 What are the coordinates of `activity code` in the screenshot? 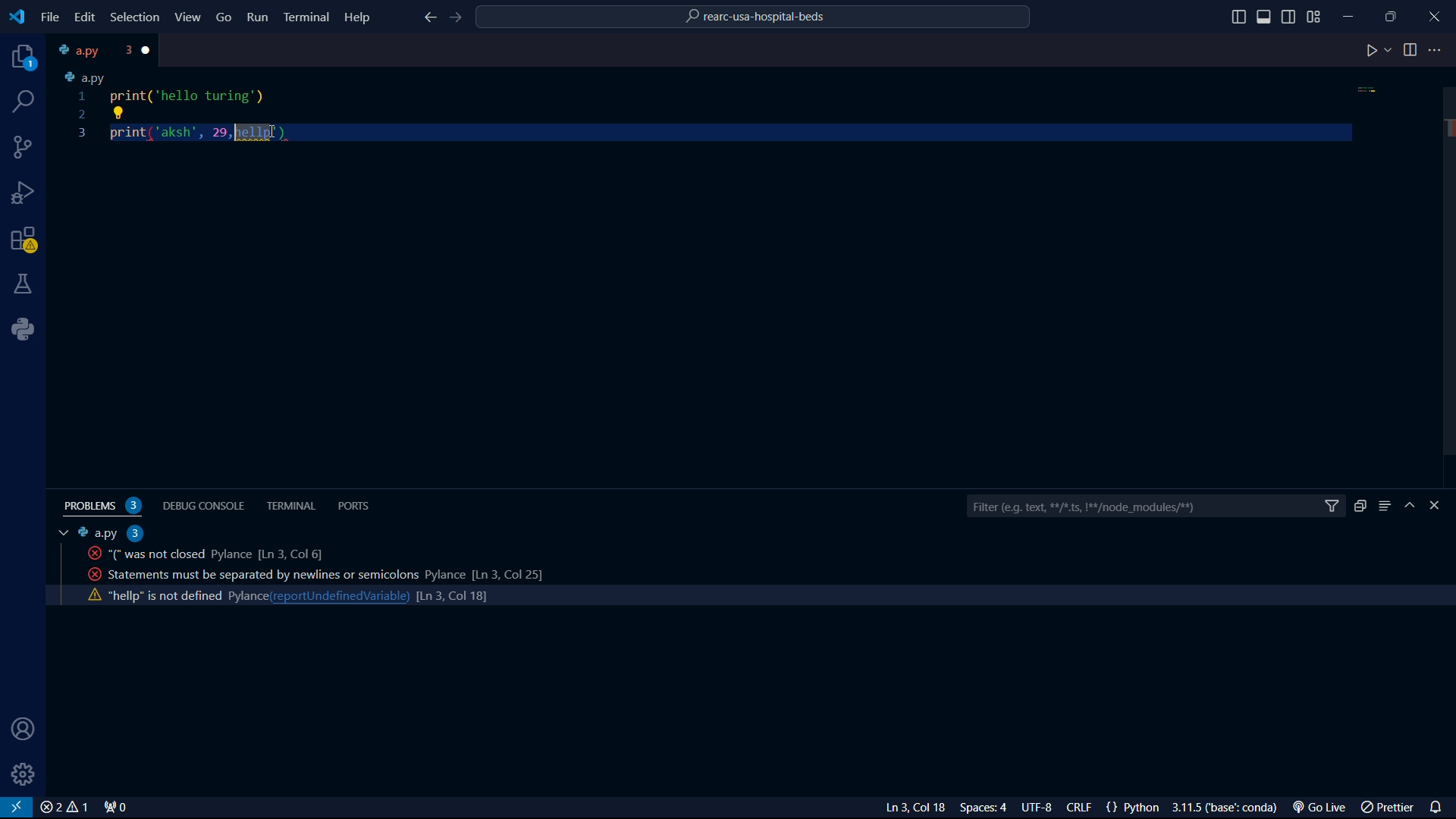 It's located at (306, 573).